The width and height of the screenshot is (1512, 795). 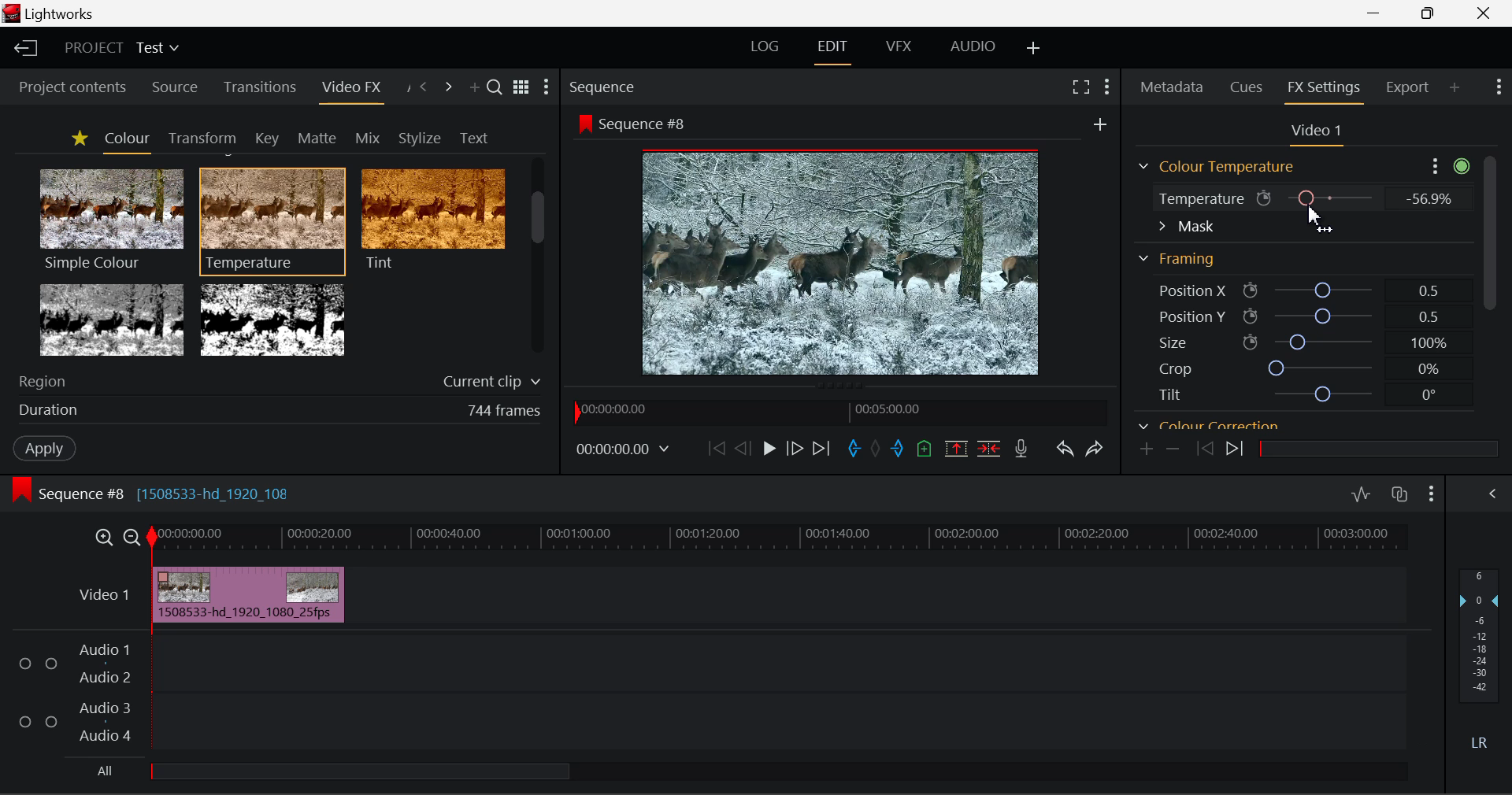 I want to click on Colour Temperature, so click(x=1221, y=167).